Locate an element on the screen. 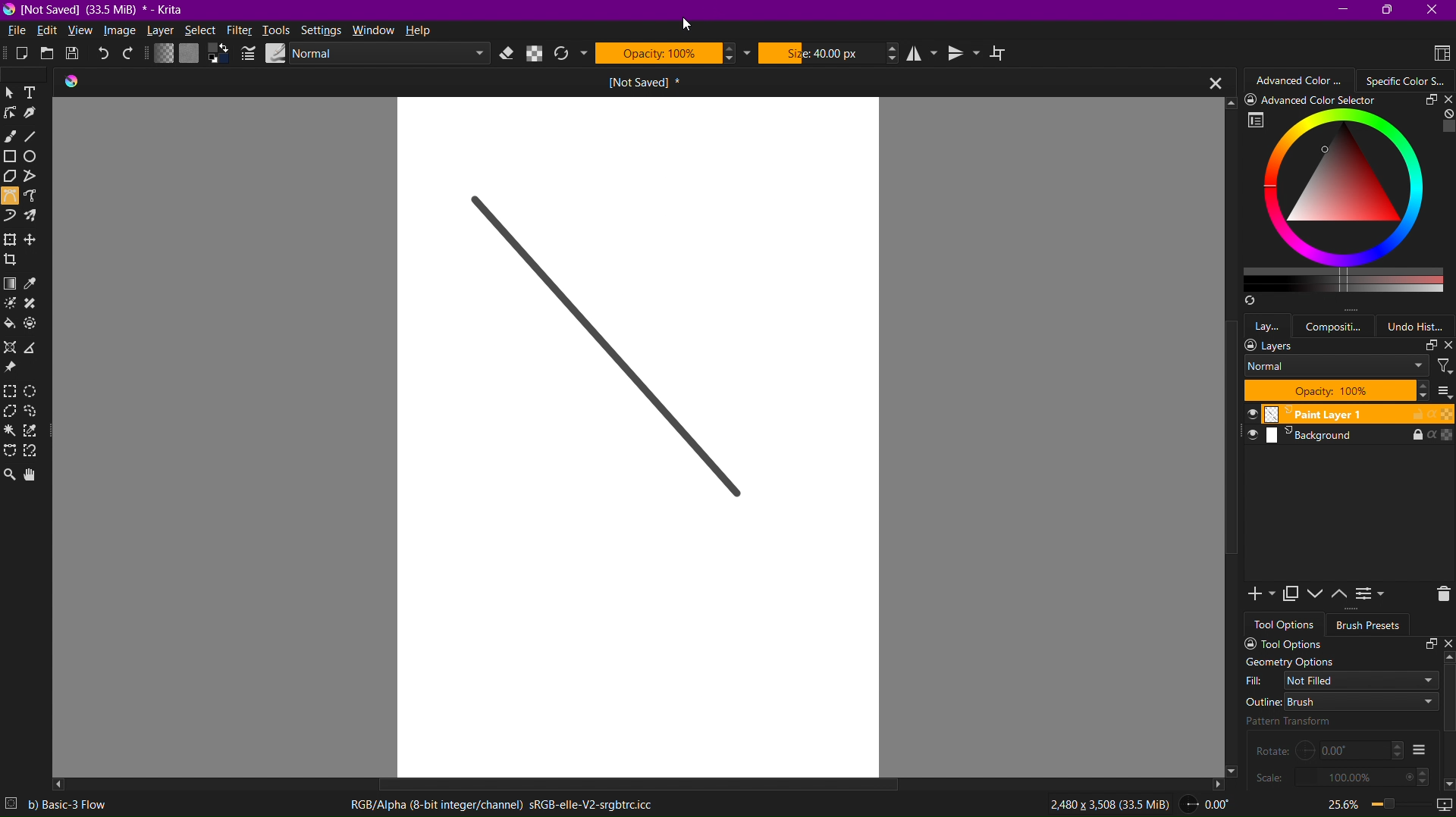  Text Tool is located at coordinates (36, 92).